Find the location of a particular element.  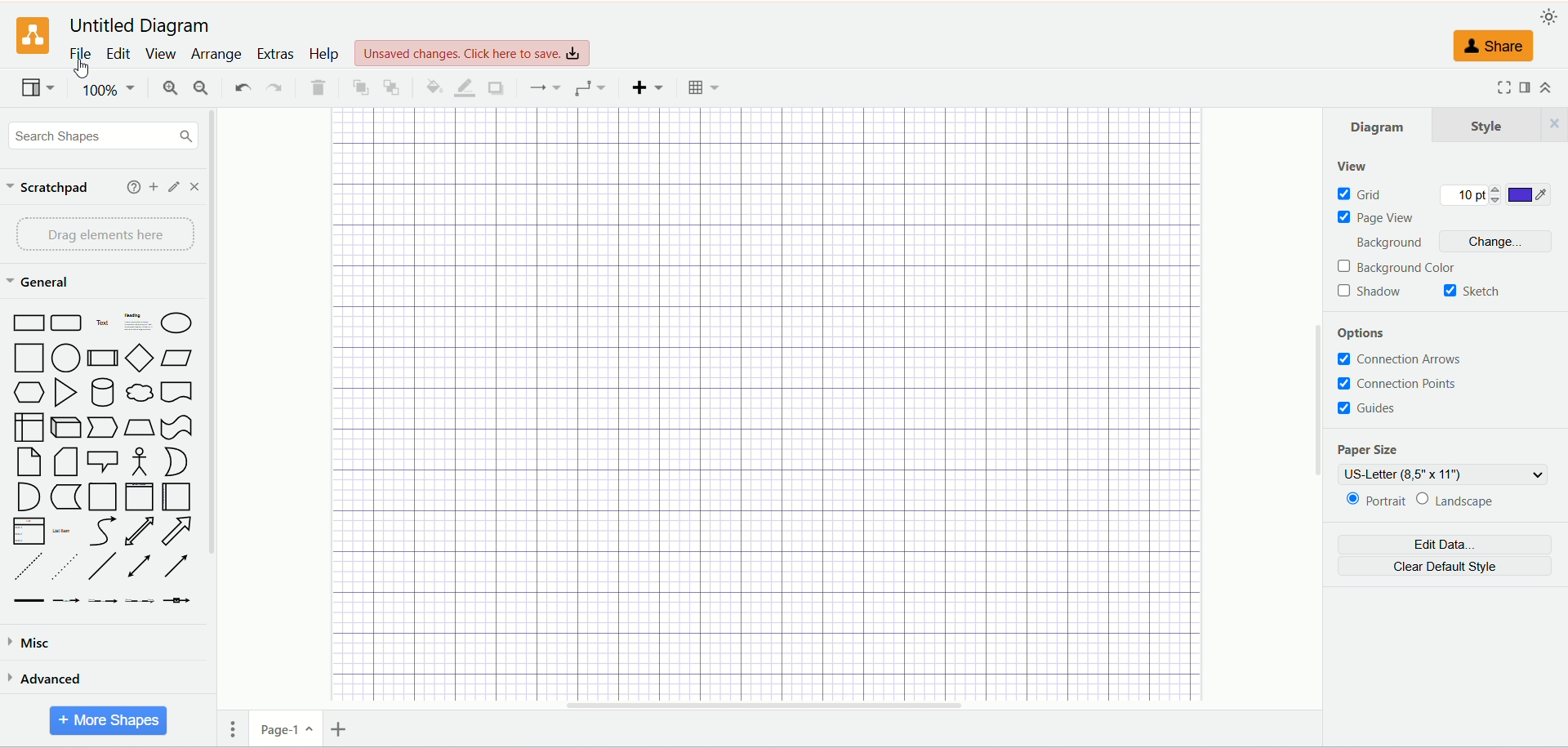

Diamond is located at coordinates (141, 359).